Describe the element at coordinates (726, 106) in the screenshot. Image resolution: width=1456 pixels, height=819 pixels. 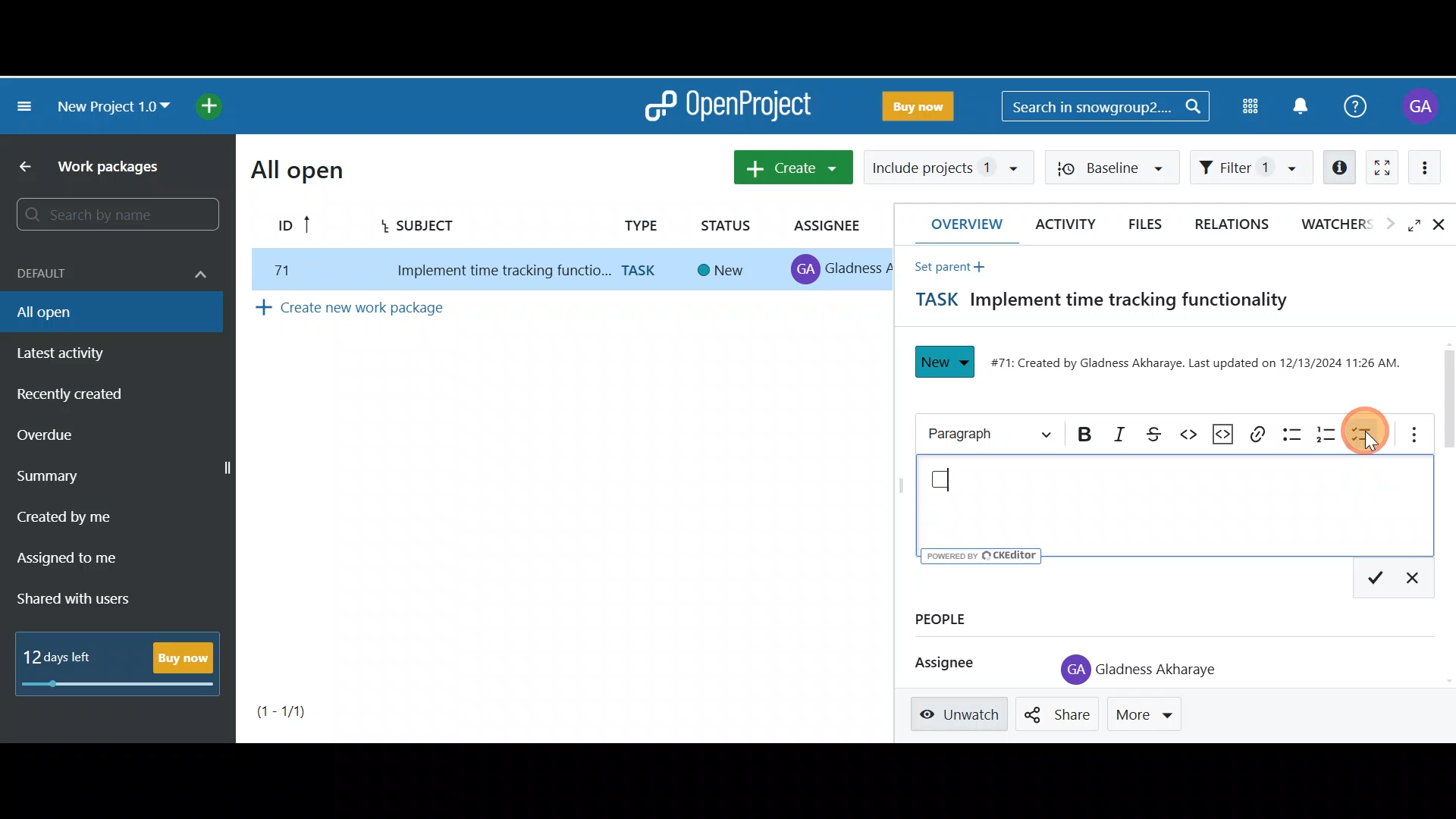
I see `OpenProject` at that location.